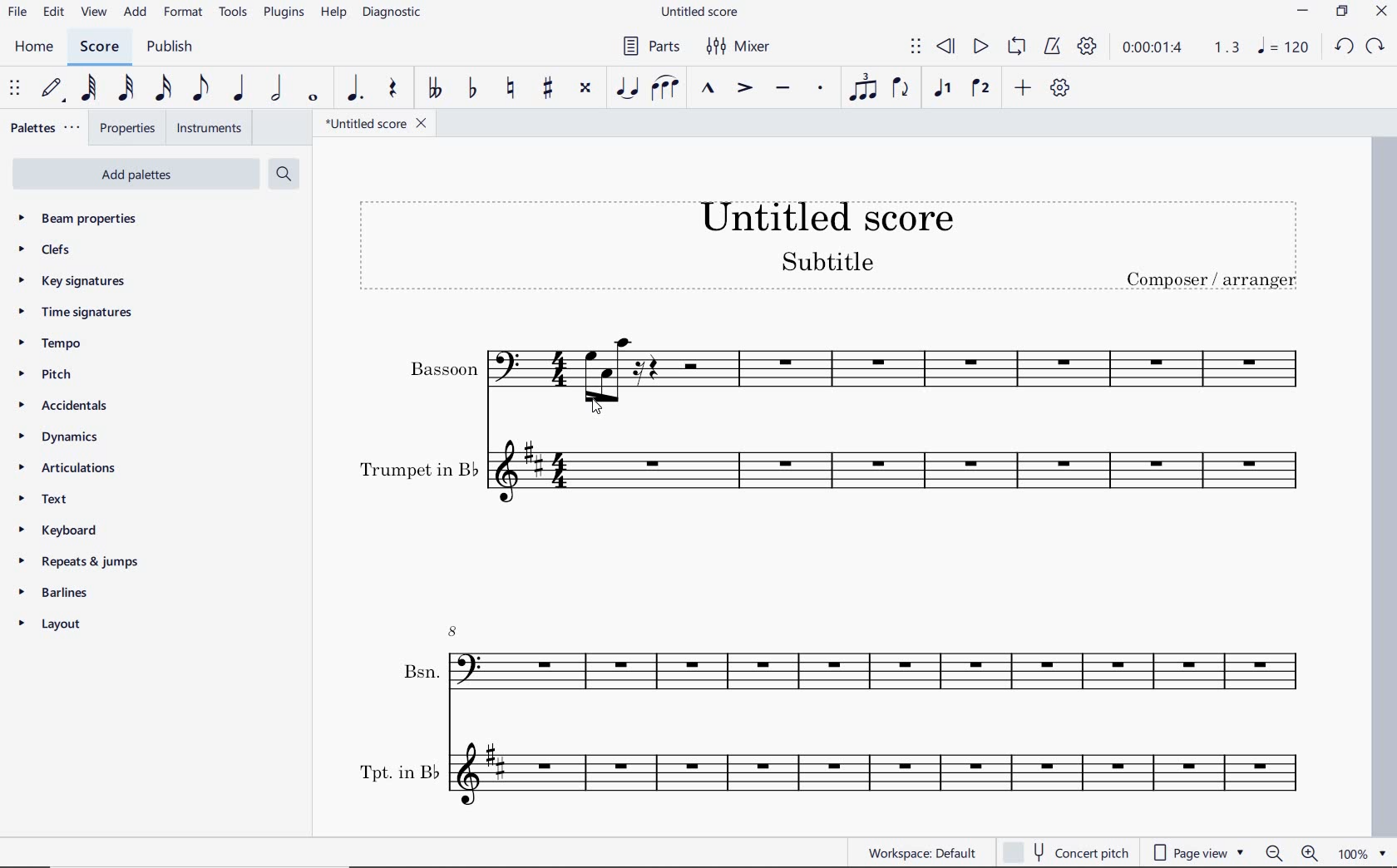  What do you see at coordinates (67, 404) in the screenshot?
I see `accidentals` at bounding box center [67, 404].